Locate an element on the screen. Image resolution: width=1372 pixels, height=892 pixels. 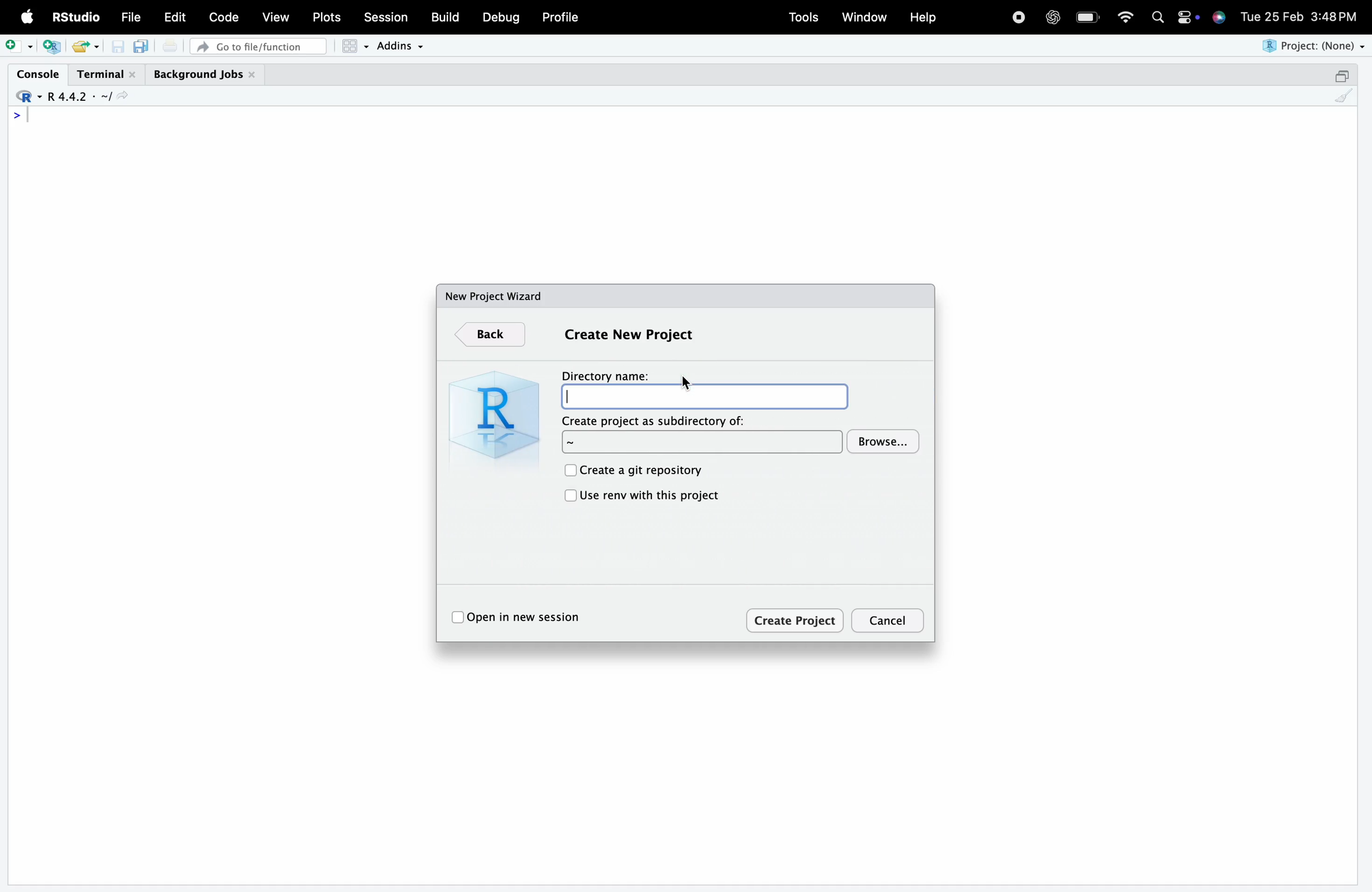
Console is located at coordinates (37, 74).